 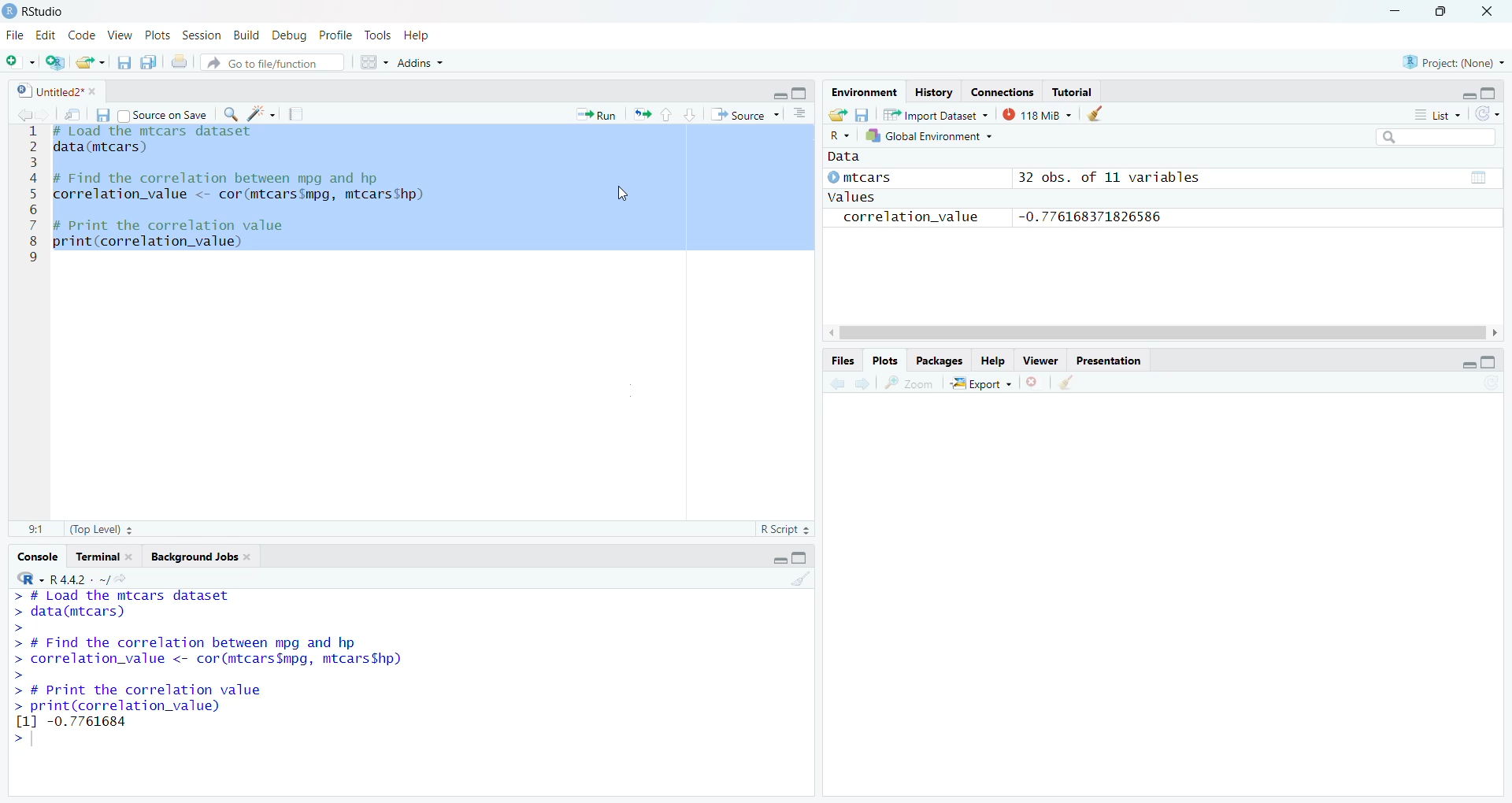 I want to click on Code Tools, so click(x=265, y=113).